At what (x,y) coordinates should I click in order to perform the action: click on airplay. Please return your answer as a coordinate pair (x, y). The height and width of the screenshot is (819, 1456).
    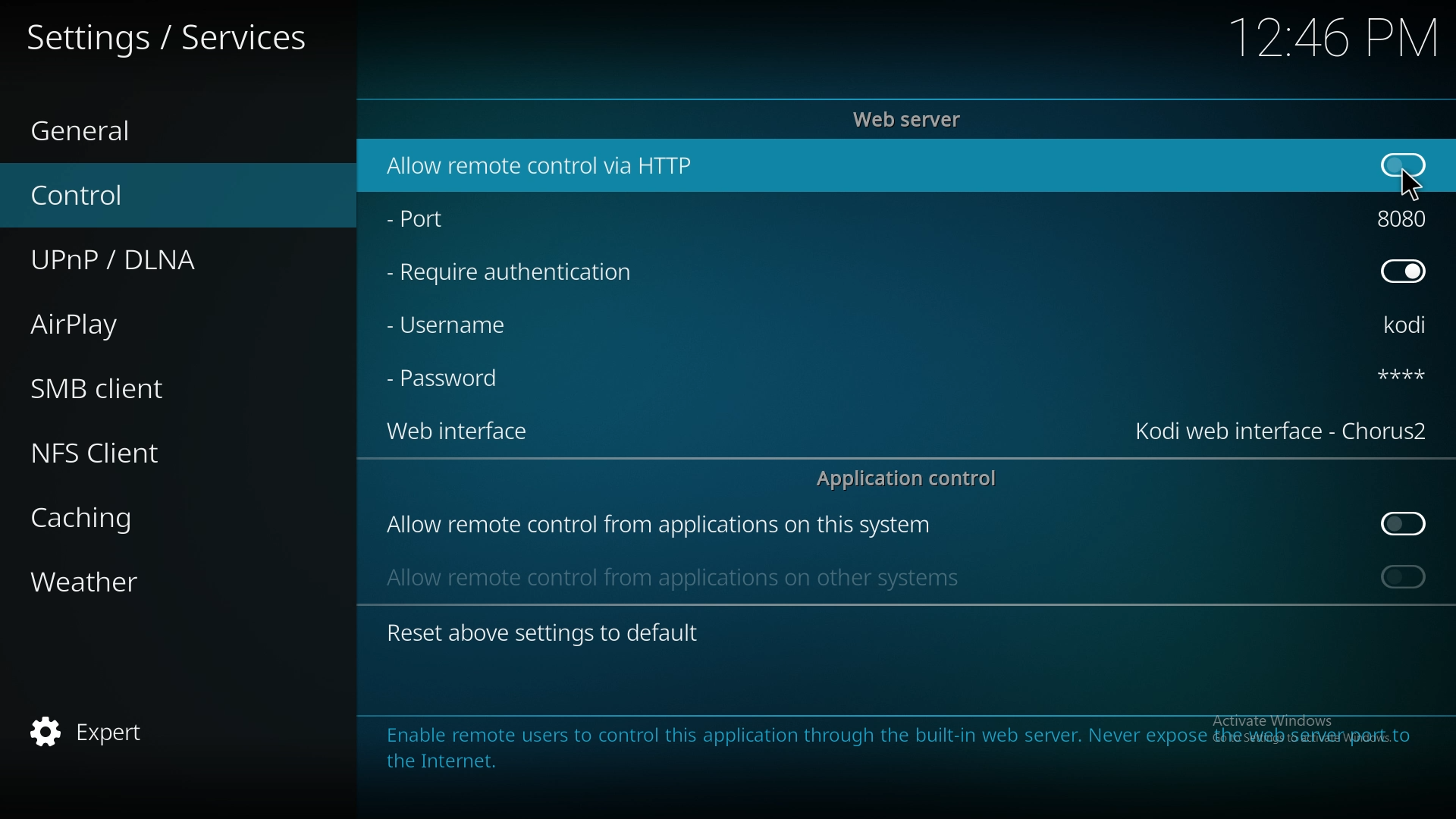
    Looking at the image, I should click on (130, 322).